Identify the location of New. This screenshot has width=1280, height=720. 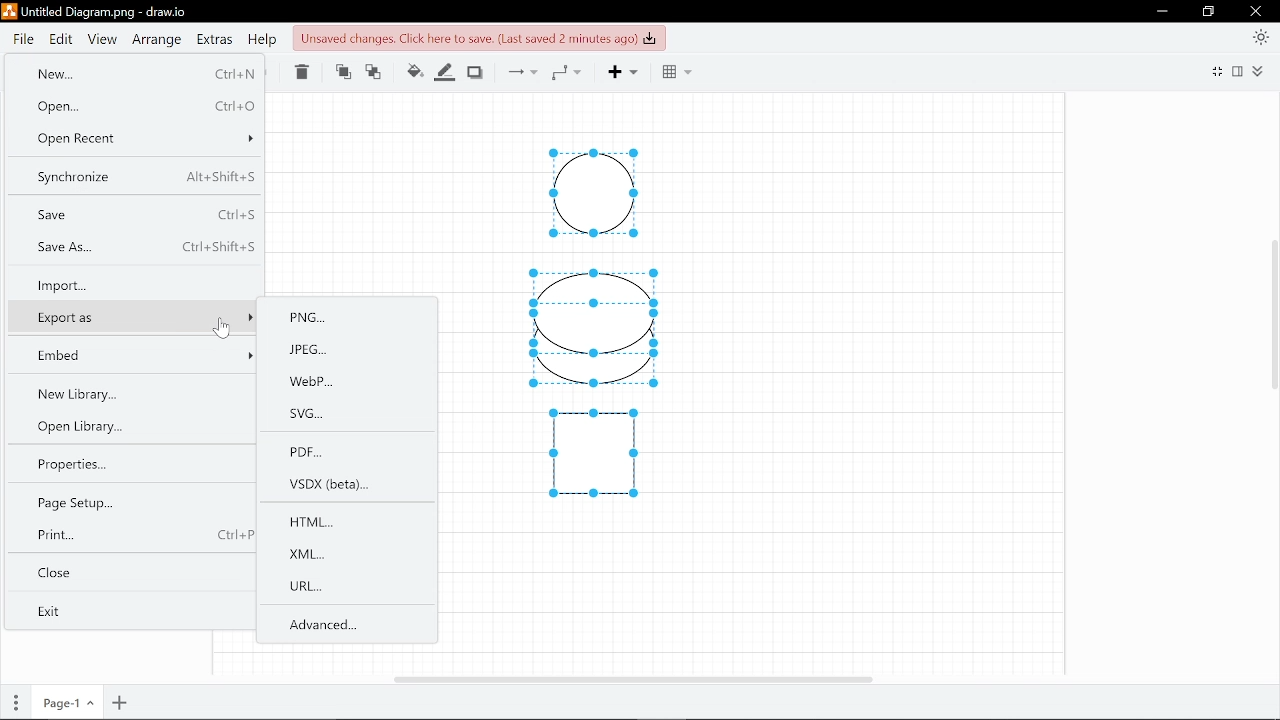
(142, 74).